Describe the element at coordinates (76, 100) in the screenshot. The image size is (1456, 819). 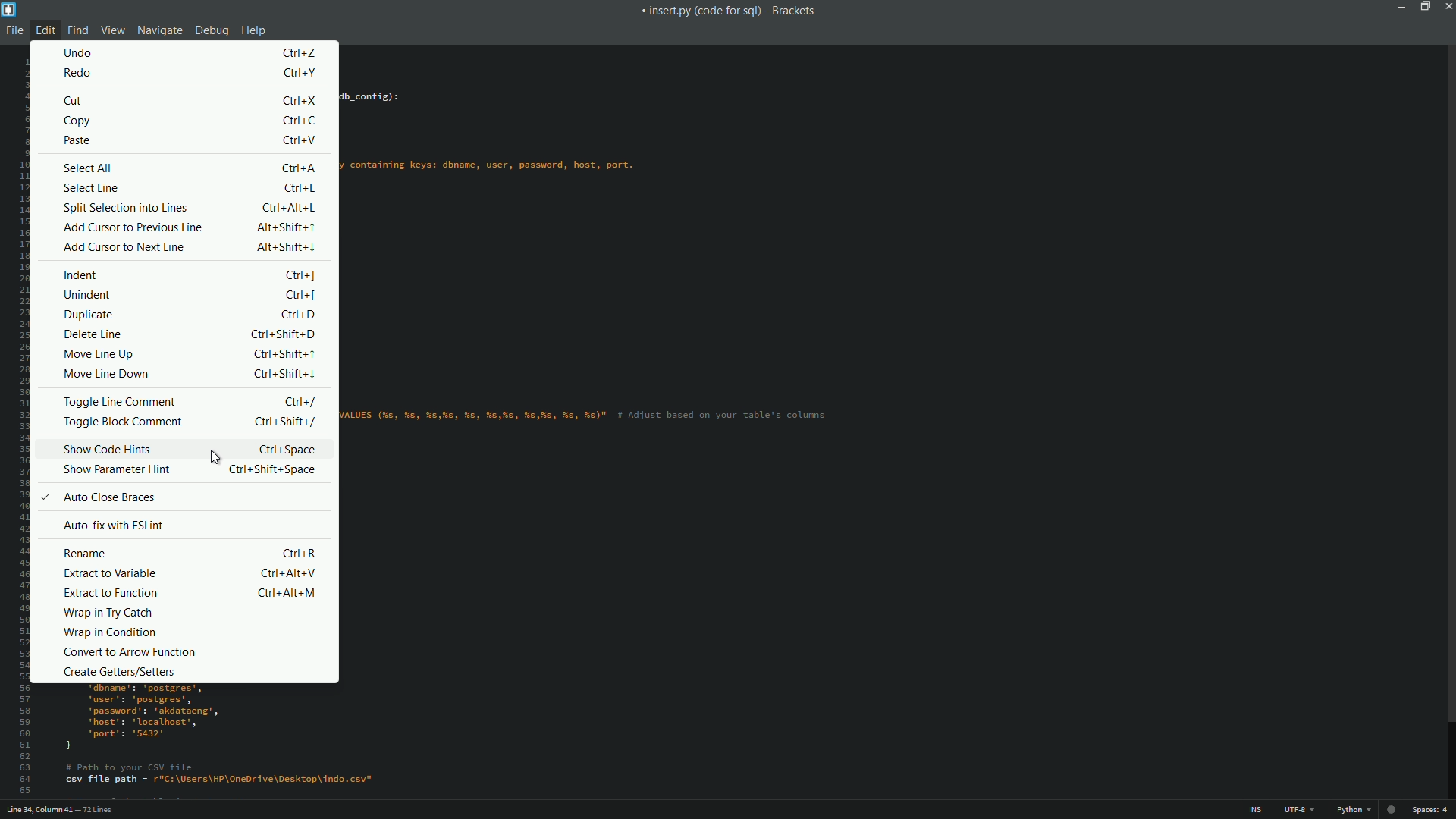
I see `cut` at that location.